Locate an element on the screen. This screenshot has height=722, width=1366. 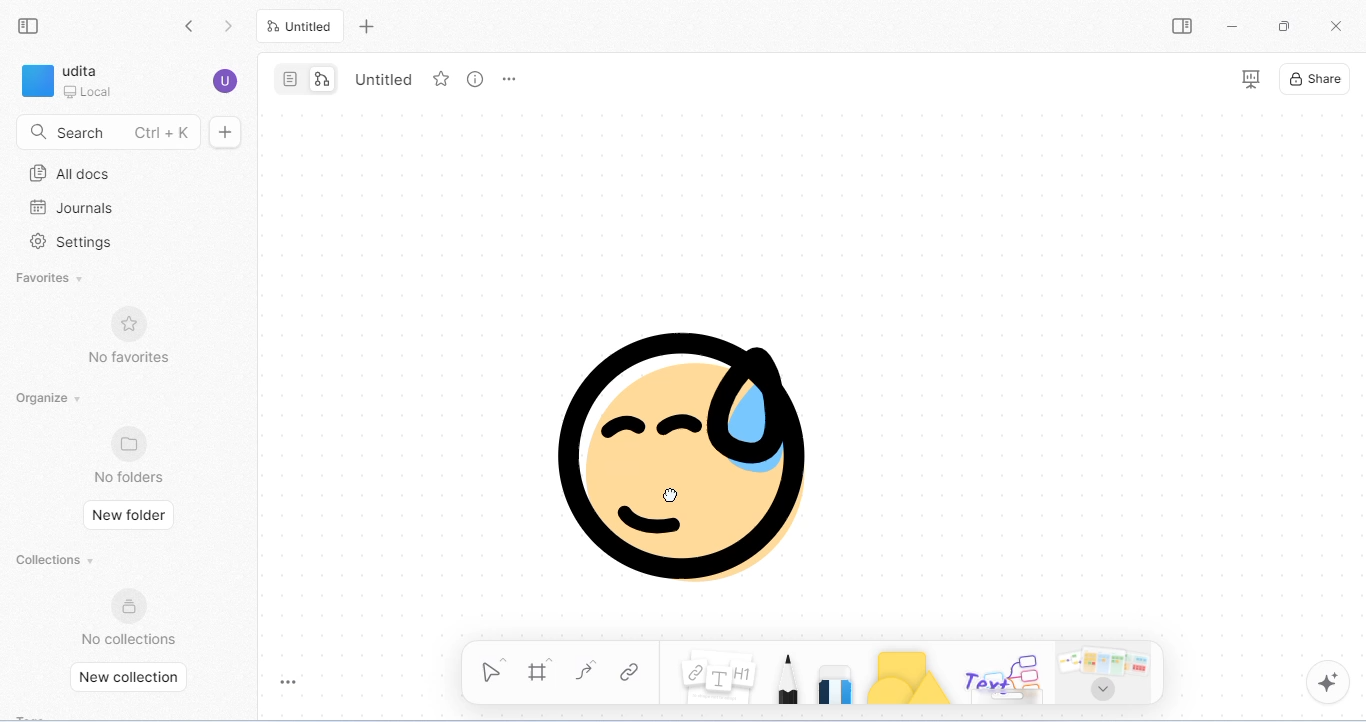
add favorite is located at coordinates (442, 78).